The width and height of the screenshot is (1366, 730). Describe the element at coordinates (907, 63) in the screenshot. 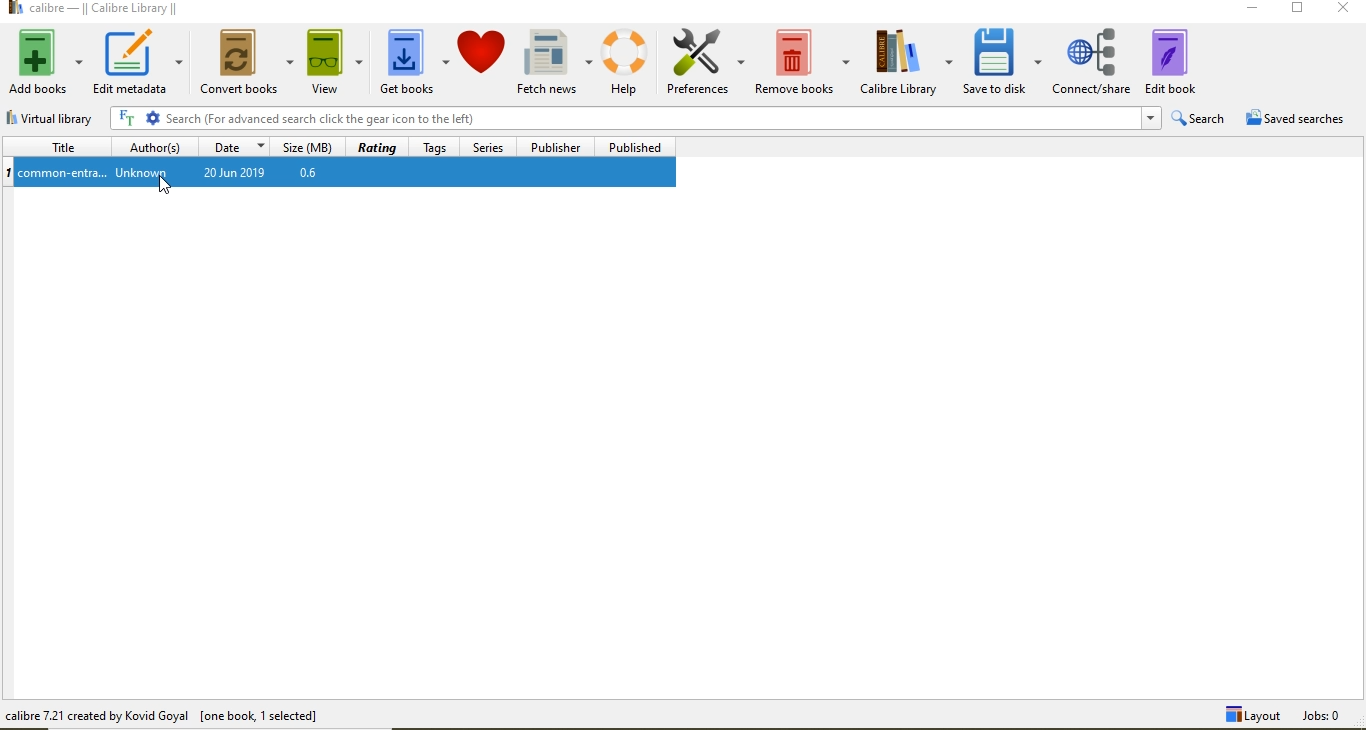

I see `calibre library` at that location.